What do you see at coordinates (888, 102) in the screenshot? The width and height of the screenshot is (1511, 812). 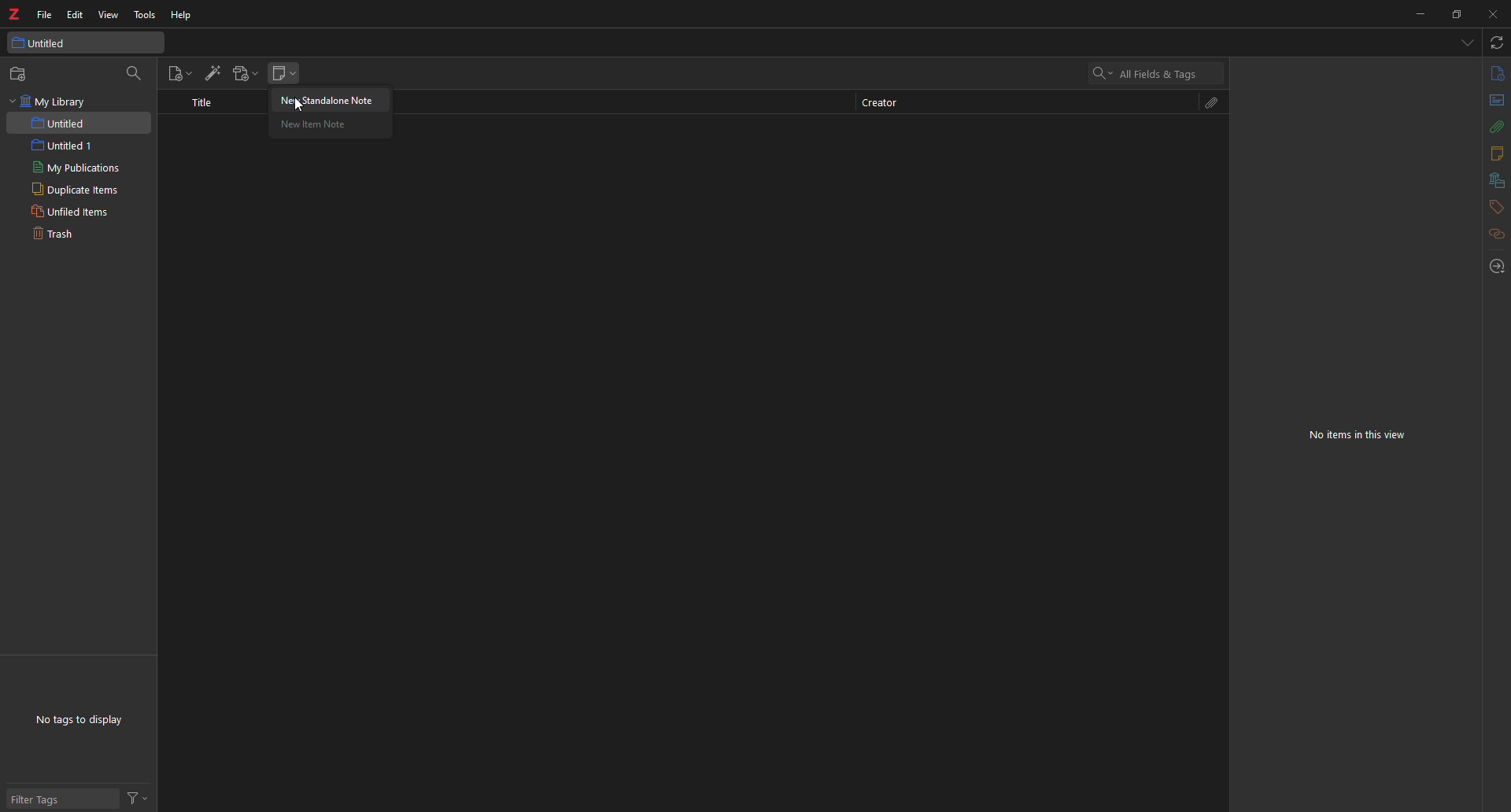 I see `creator` at bounding box center [888, 102].